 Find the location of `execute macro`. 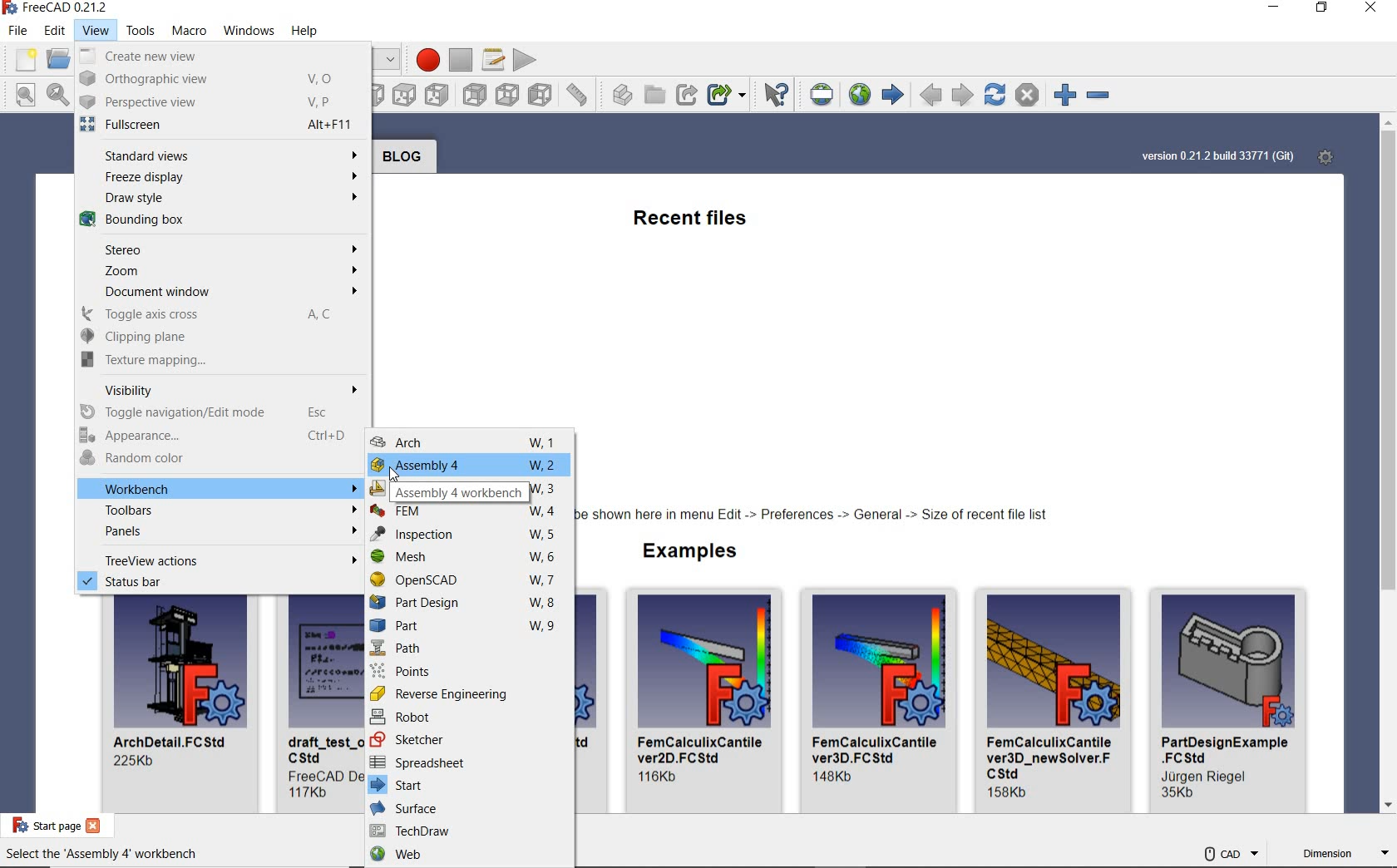

execute macro is located at coordinates (525, 61).